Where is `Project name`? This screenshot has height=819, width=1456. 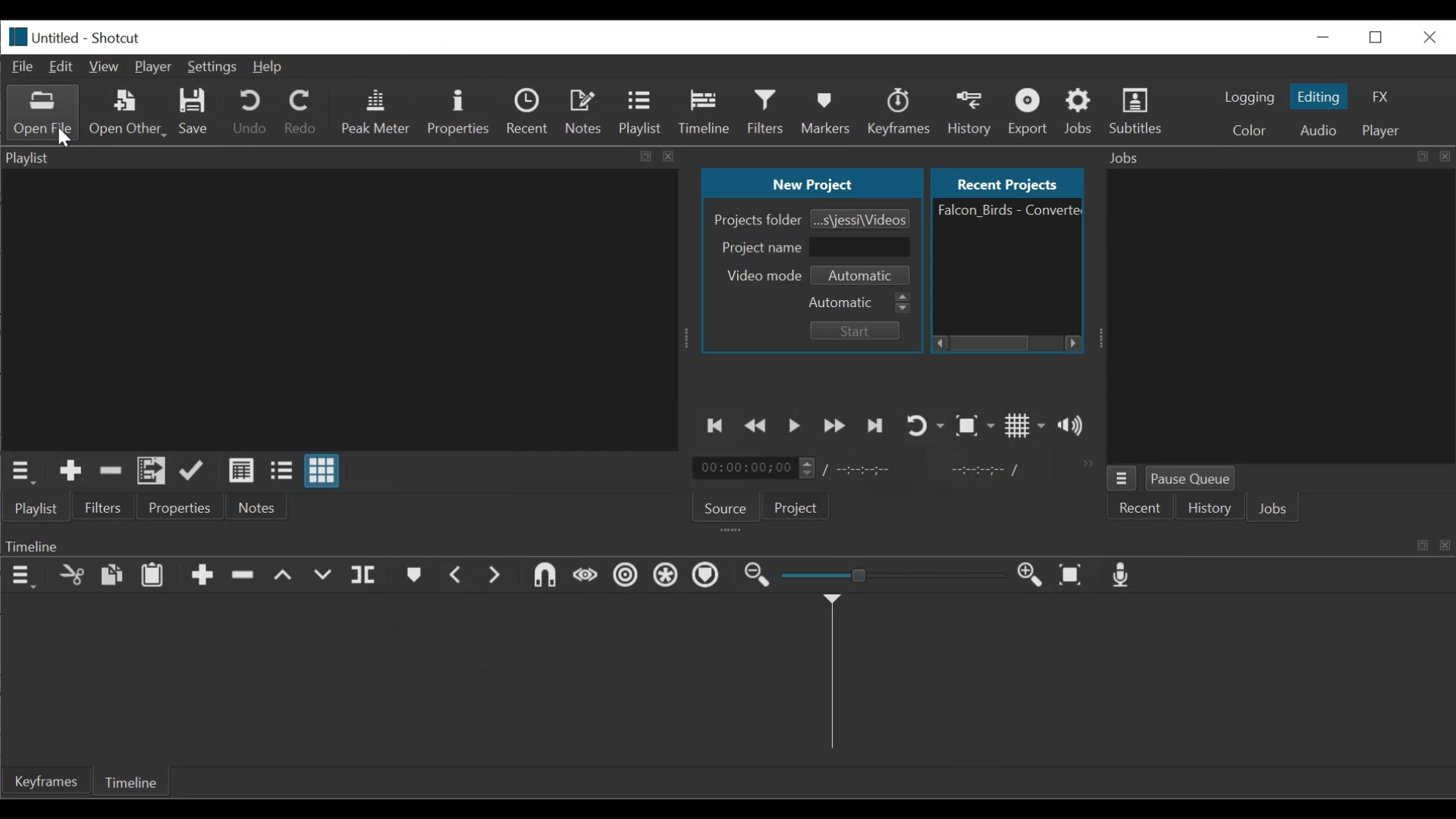 Project name is located at coordinates (763, 249).